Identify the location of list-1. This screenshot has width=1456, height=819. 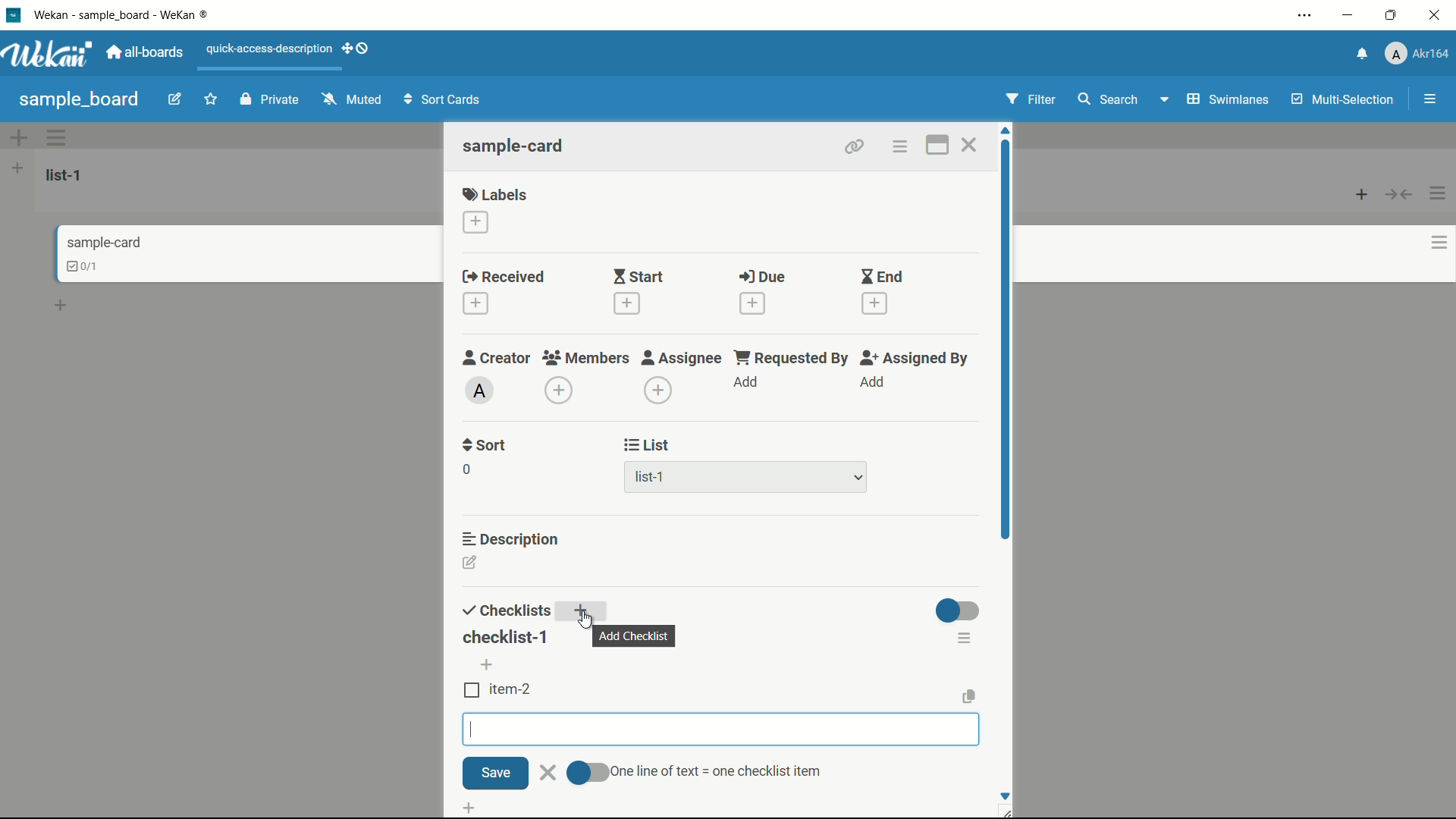
(652, 480).